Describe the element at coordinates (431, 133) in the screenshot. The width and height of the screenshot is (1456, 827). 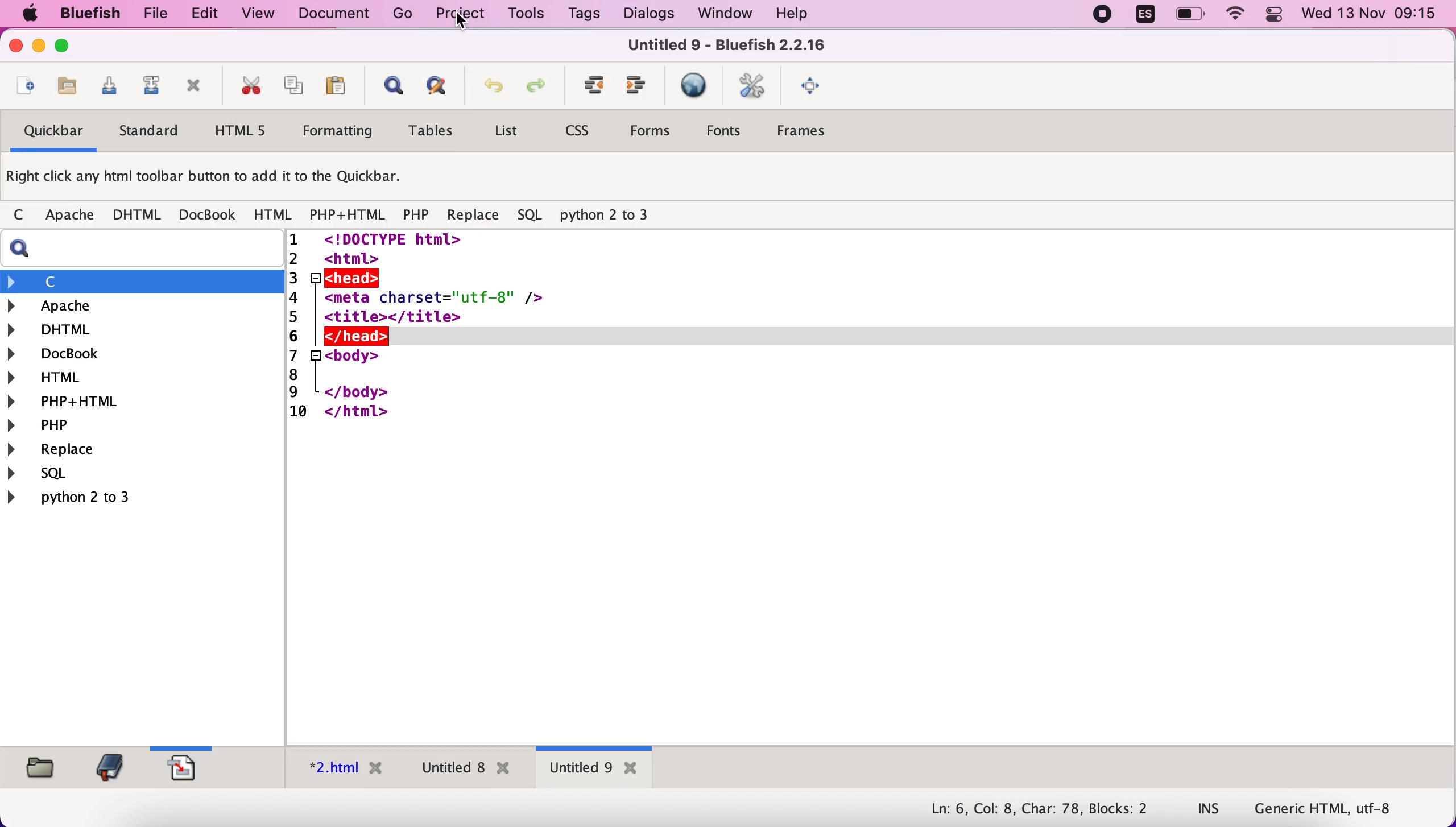
I see `tables` at that location.